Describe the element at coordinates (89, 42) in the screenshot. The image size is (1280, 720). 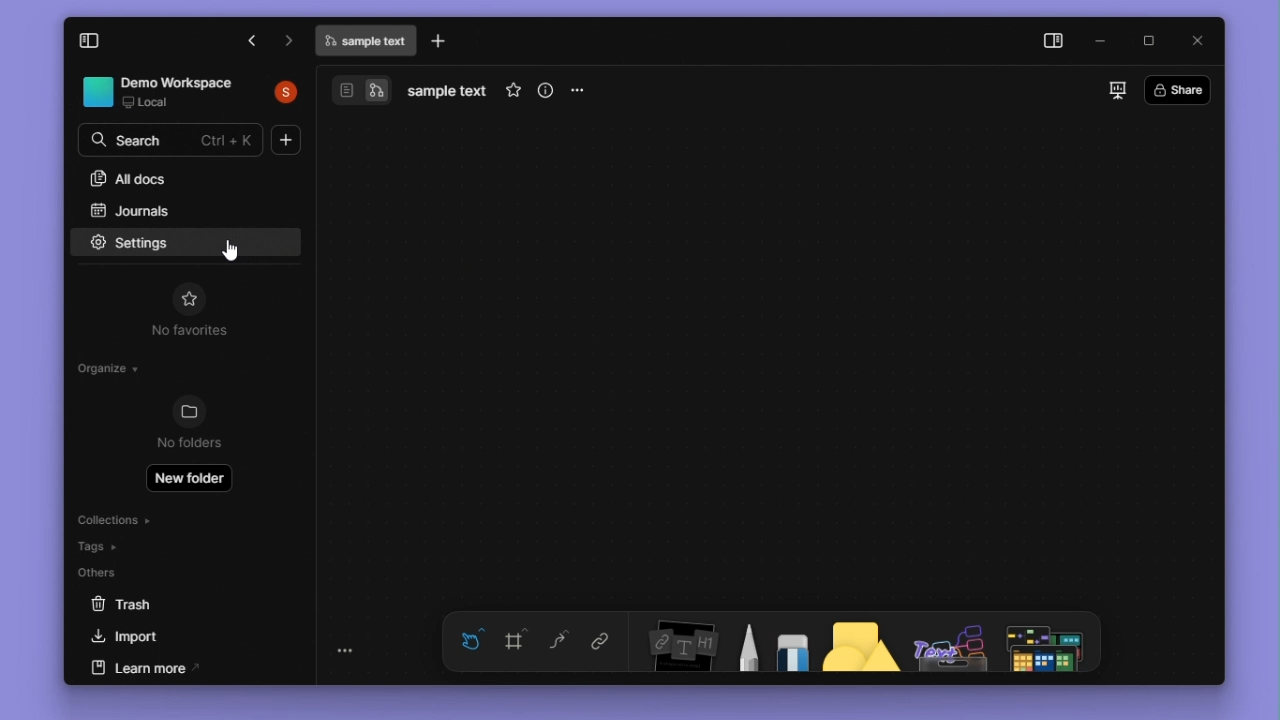
I see `Expand sodebar` at that location.